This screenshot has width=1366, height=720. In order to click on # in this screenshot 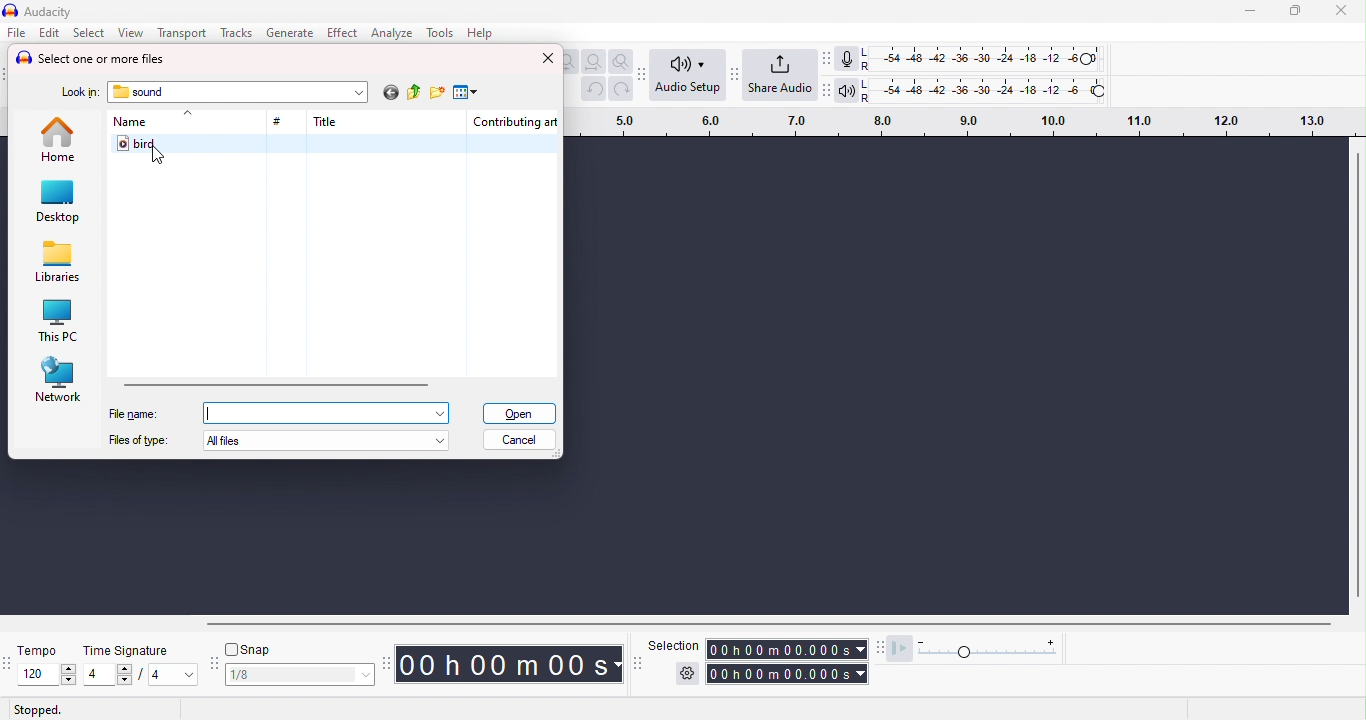, I will do `click(280, 123)`.